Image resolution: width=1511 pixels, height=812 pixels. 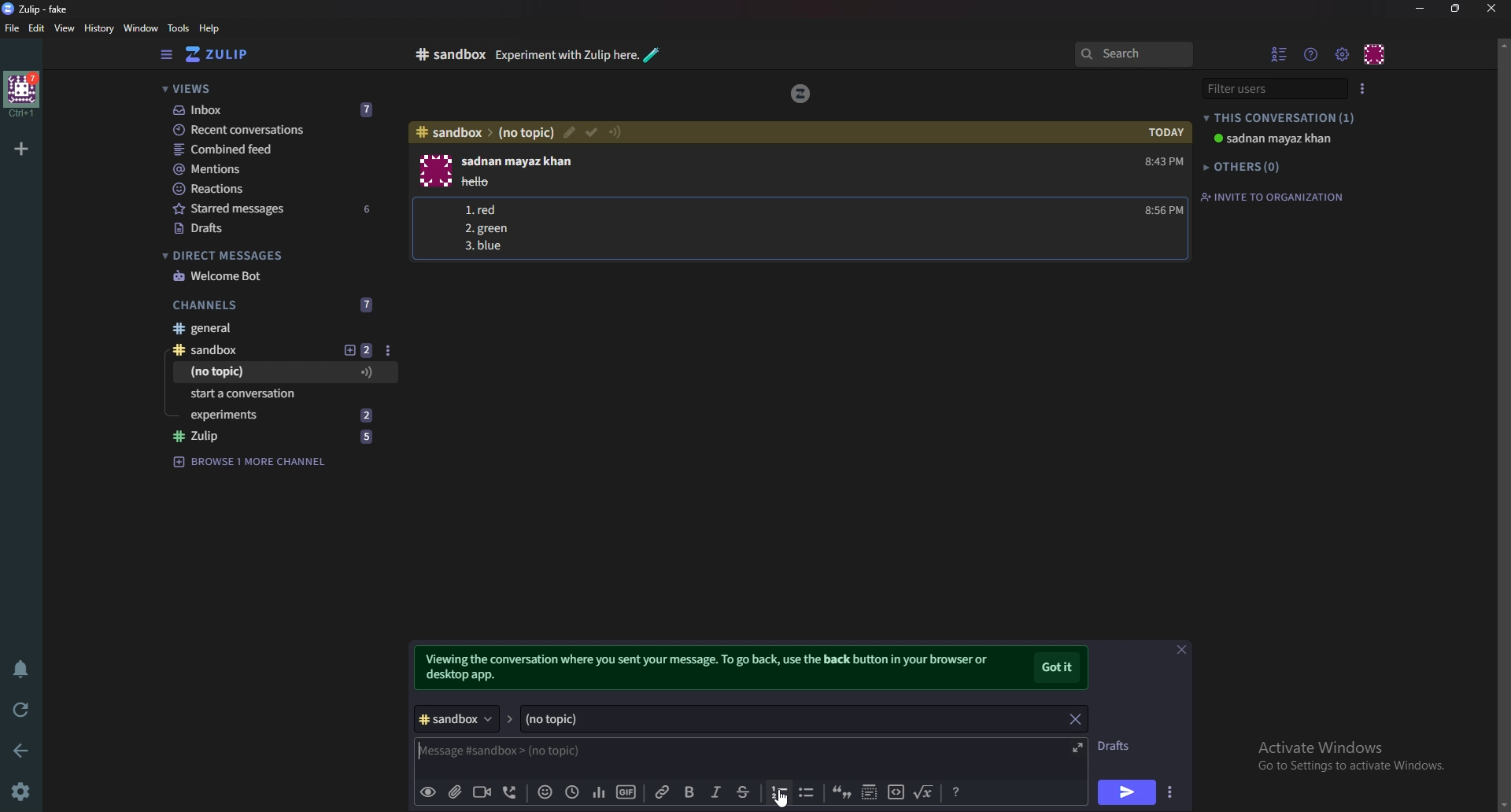 I want to click on zulip, so click(x=279, y=437).